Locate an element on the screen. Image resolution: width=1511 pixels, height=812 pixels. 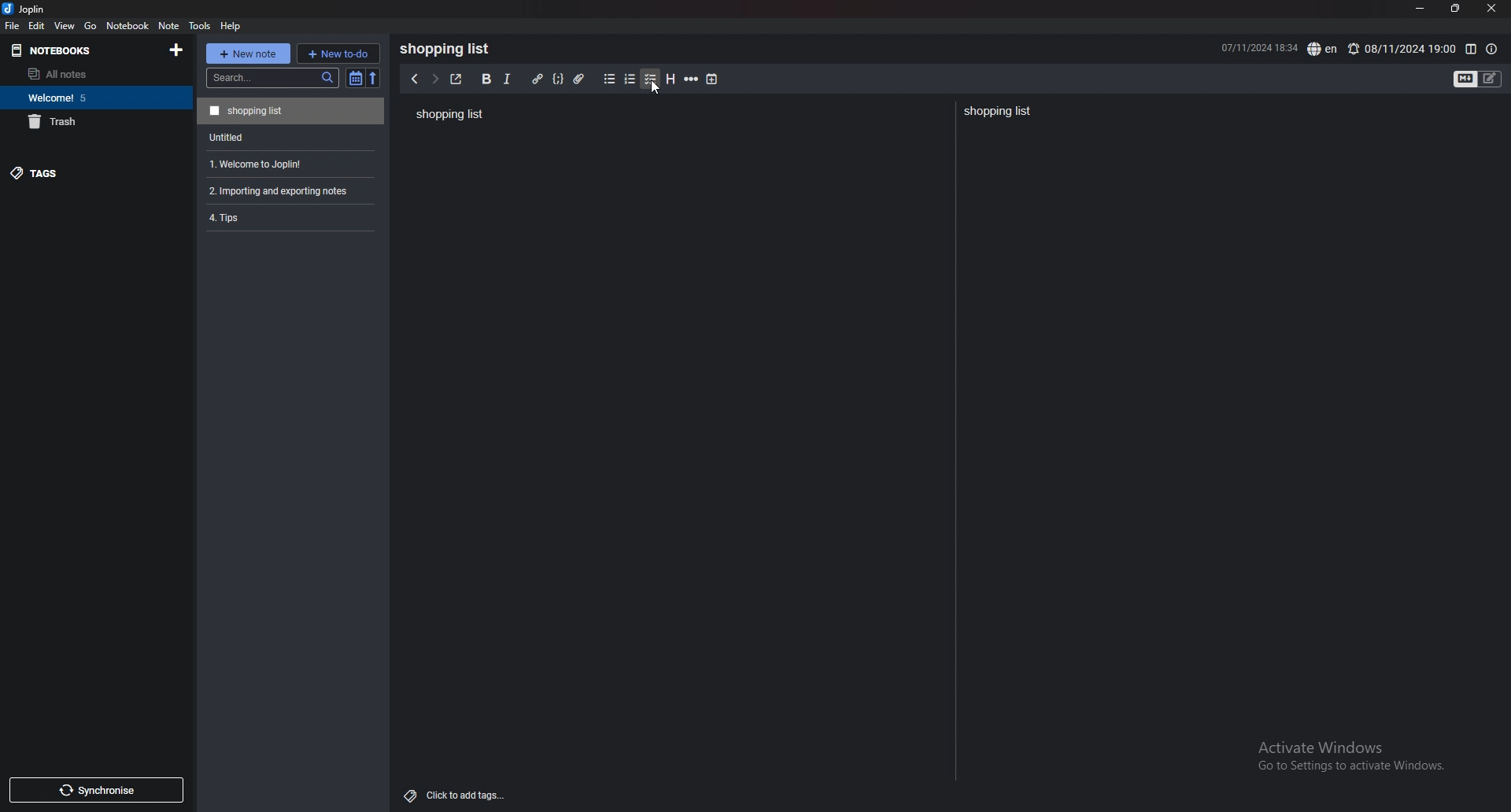
all notes is located at coordinates (89, 74).